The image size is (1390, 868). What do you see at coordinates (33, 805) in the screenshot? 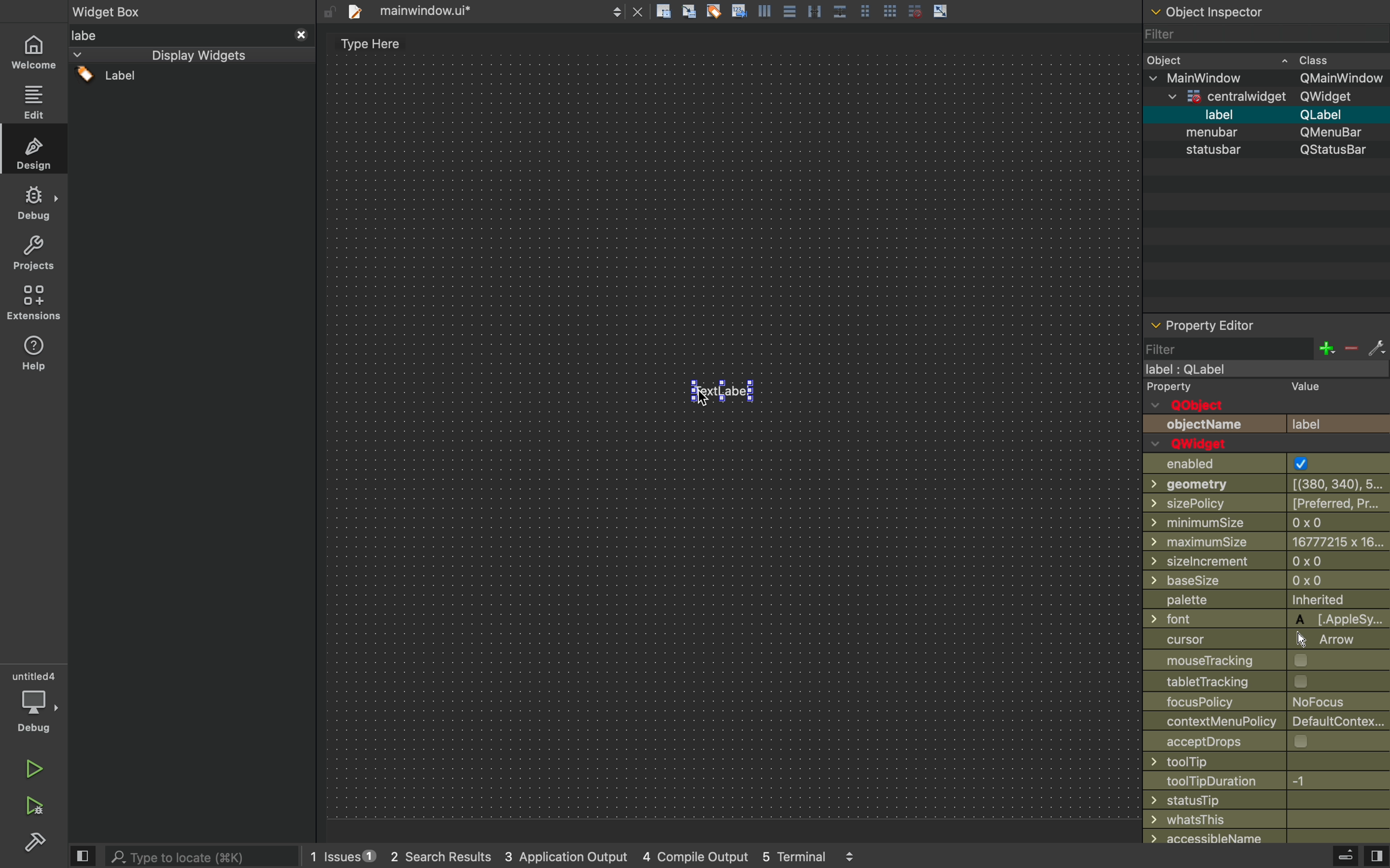
I see `build and run` at bounding box center [33, 805].